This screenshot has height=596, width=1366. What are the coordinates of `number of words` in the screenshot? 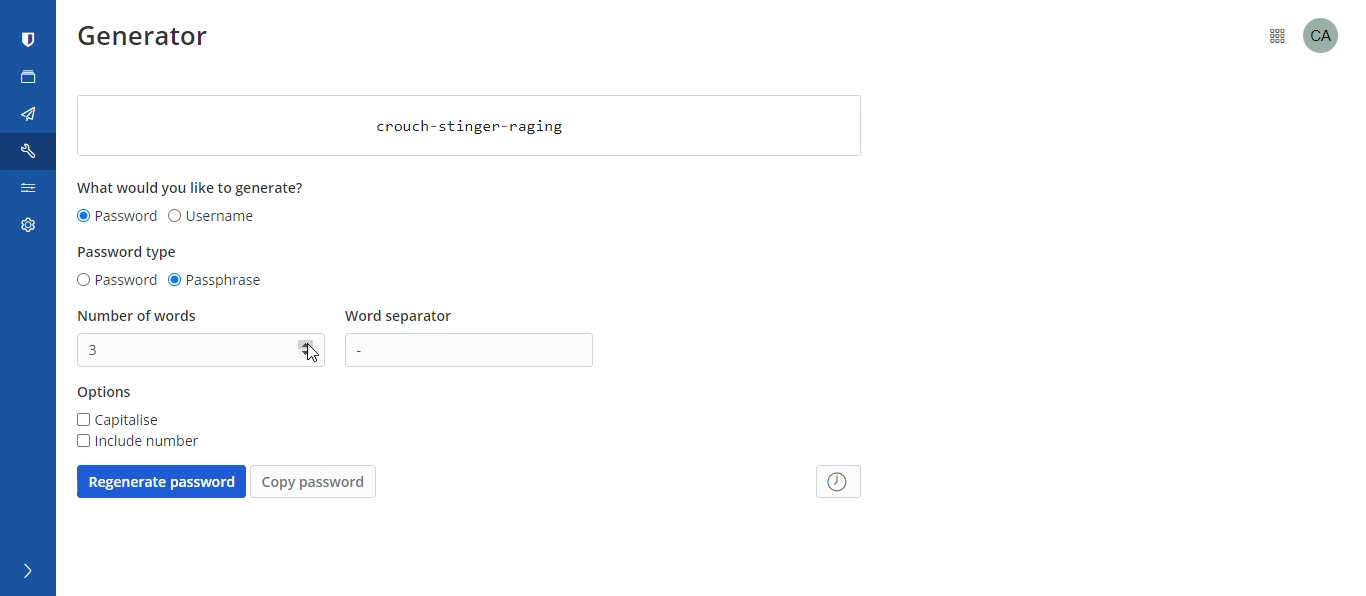 It's located at (139, 316).